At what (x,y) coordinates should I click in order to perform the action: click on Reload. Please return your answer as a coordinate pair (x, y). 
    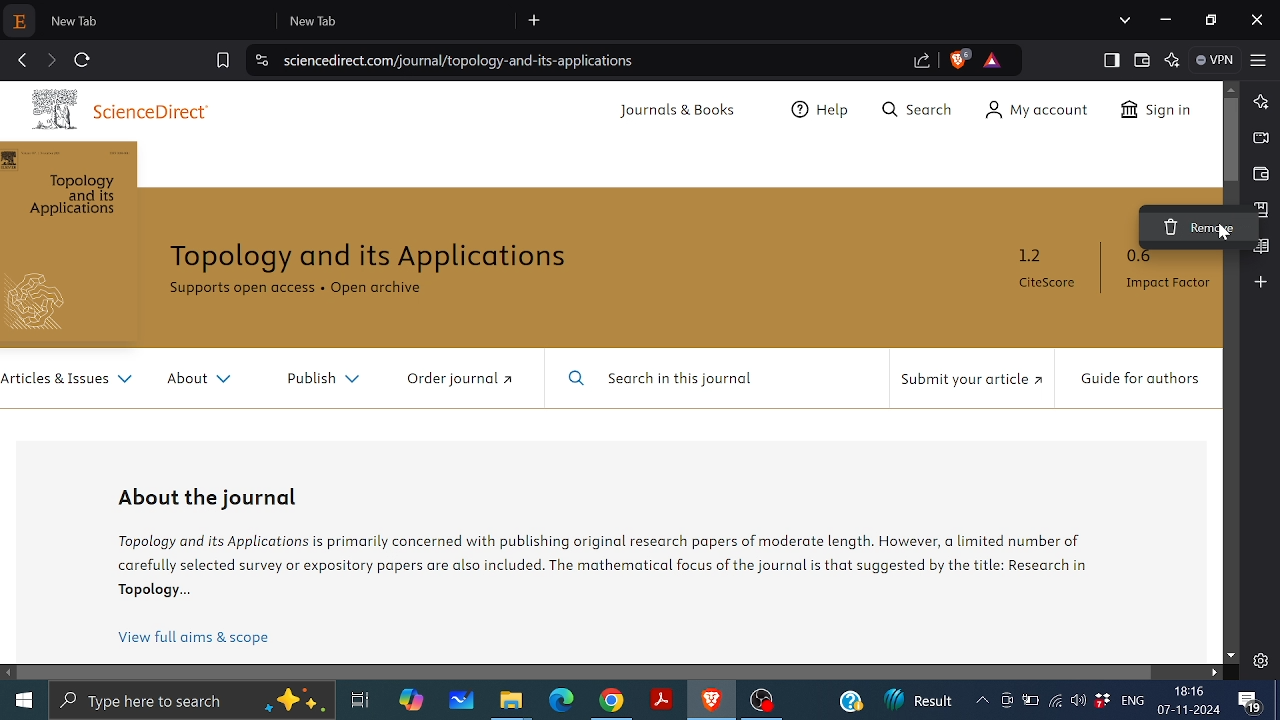
    Looking at the image, I should click on (84, 58).